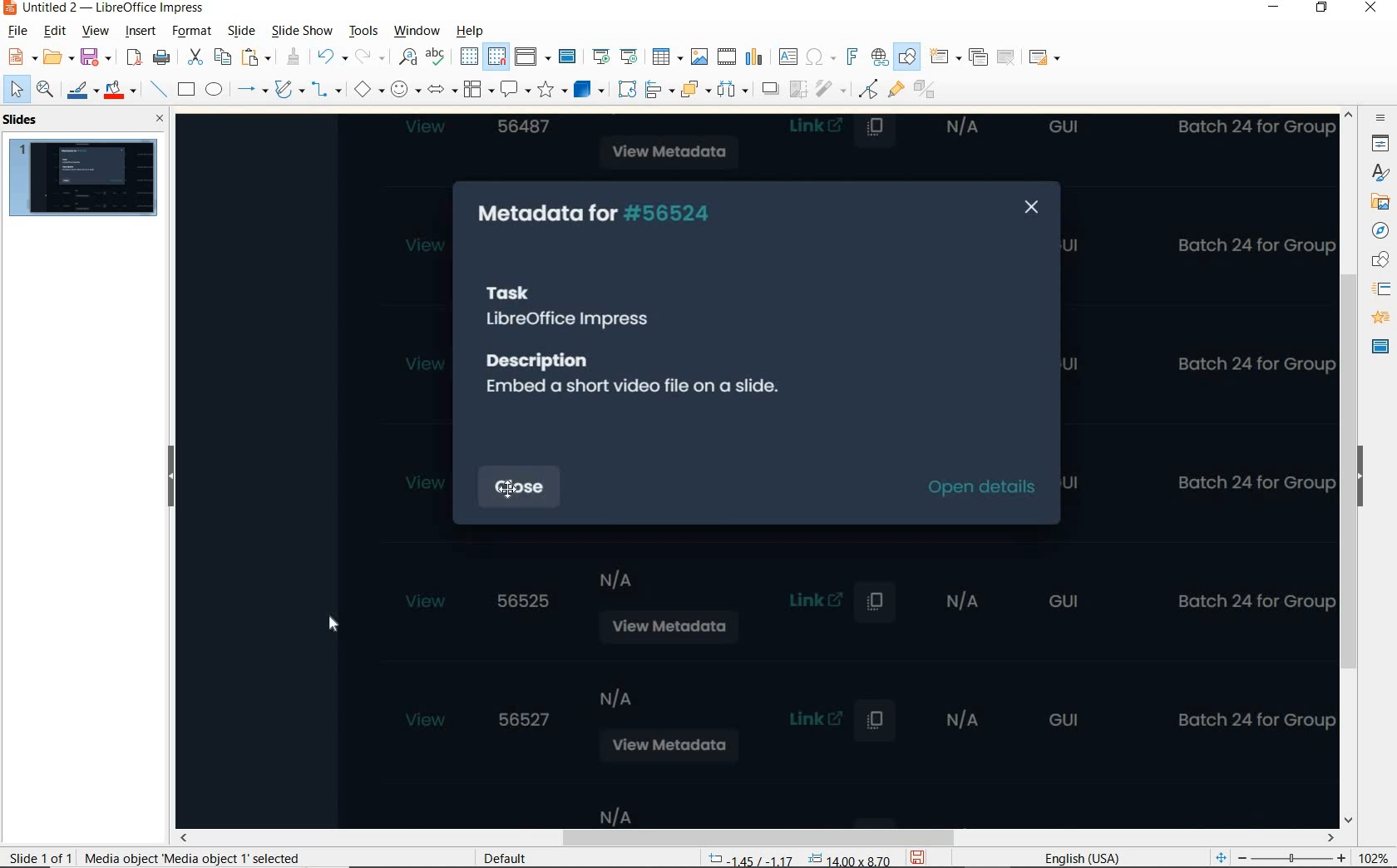  I want to click on DELETE SLIDE, so click(1007, 58).